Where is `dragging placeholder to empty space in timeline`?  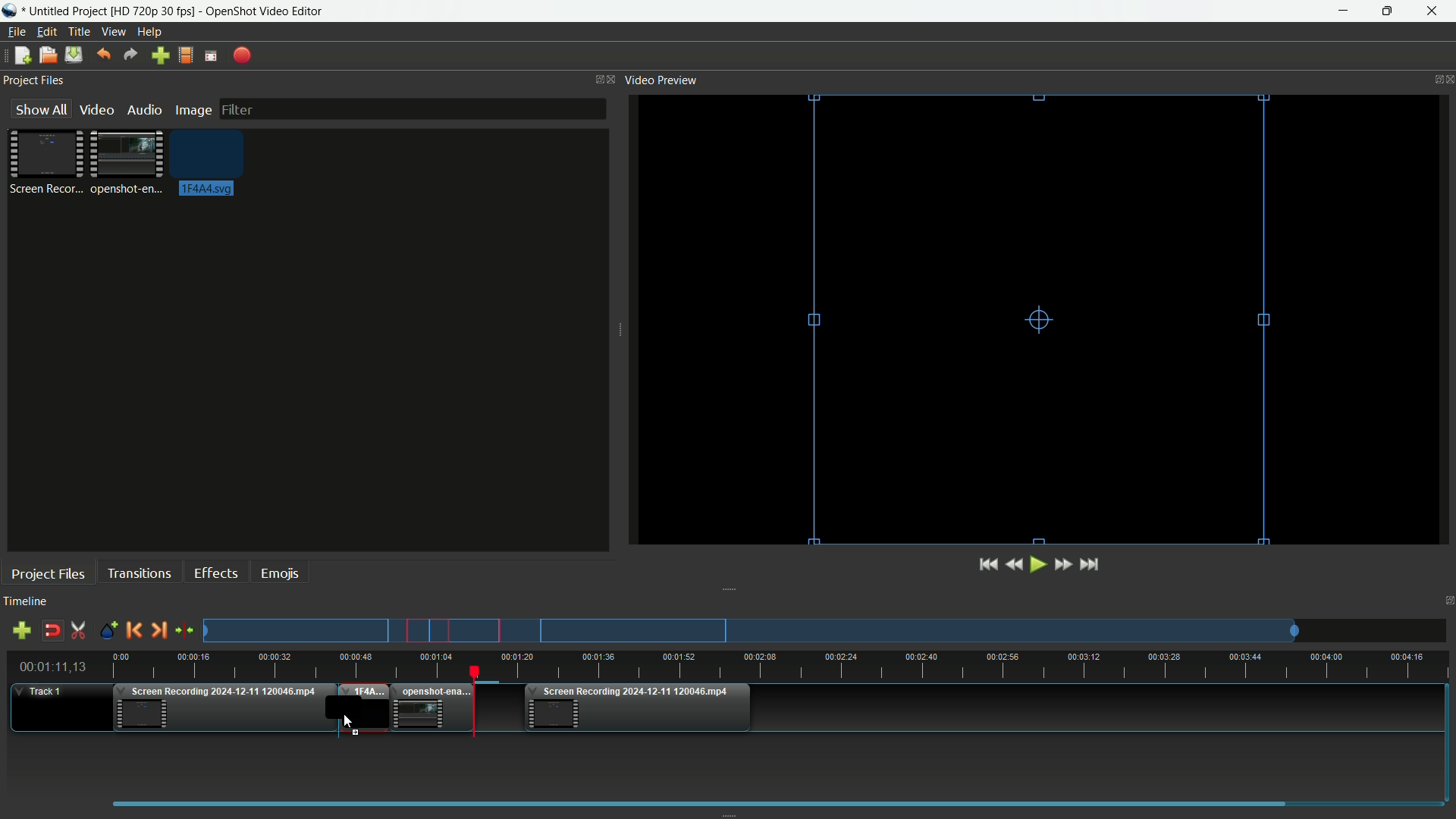
dragging placeholder to empty space in timeline is located at coordinates (361, 708).